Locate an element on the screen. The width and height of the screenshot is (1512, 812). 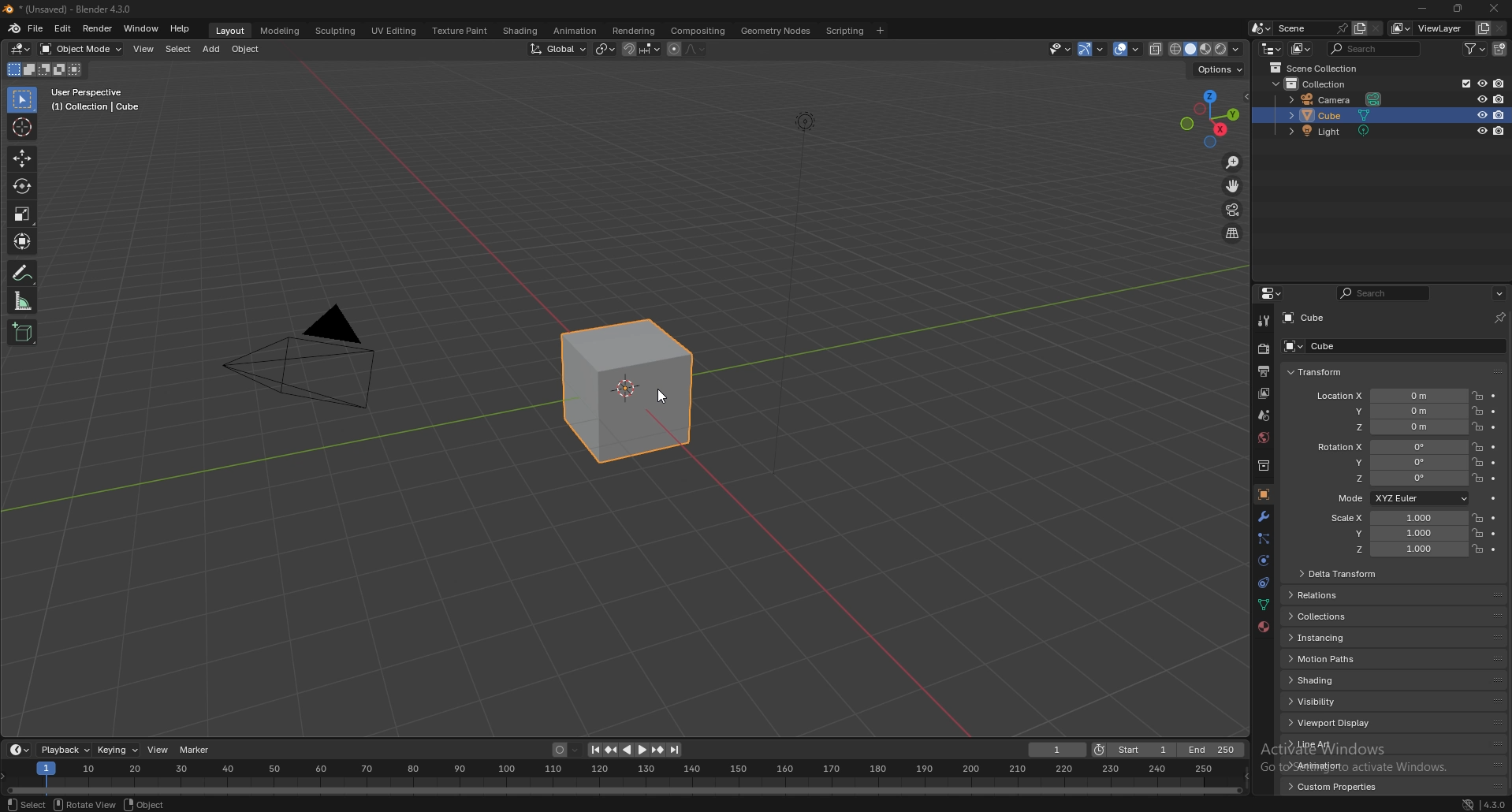
sculpting is located at coordinates (336, 31).